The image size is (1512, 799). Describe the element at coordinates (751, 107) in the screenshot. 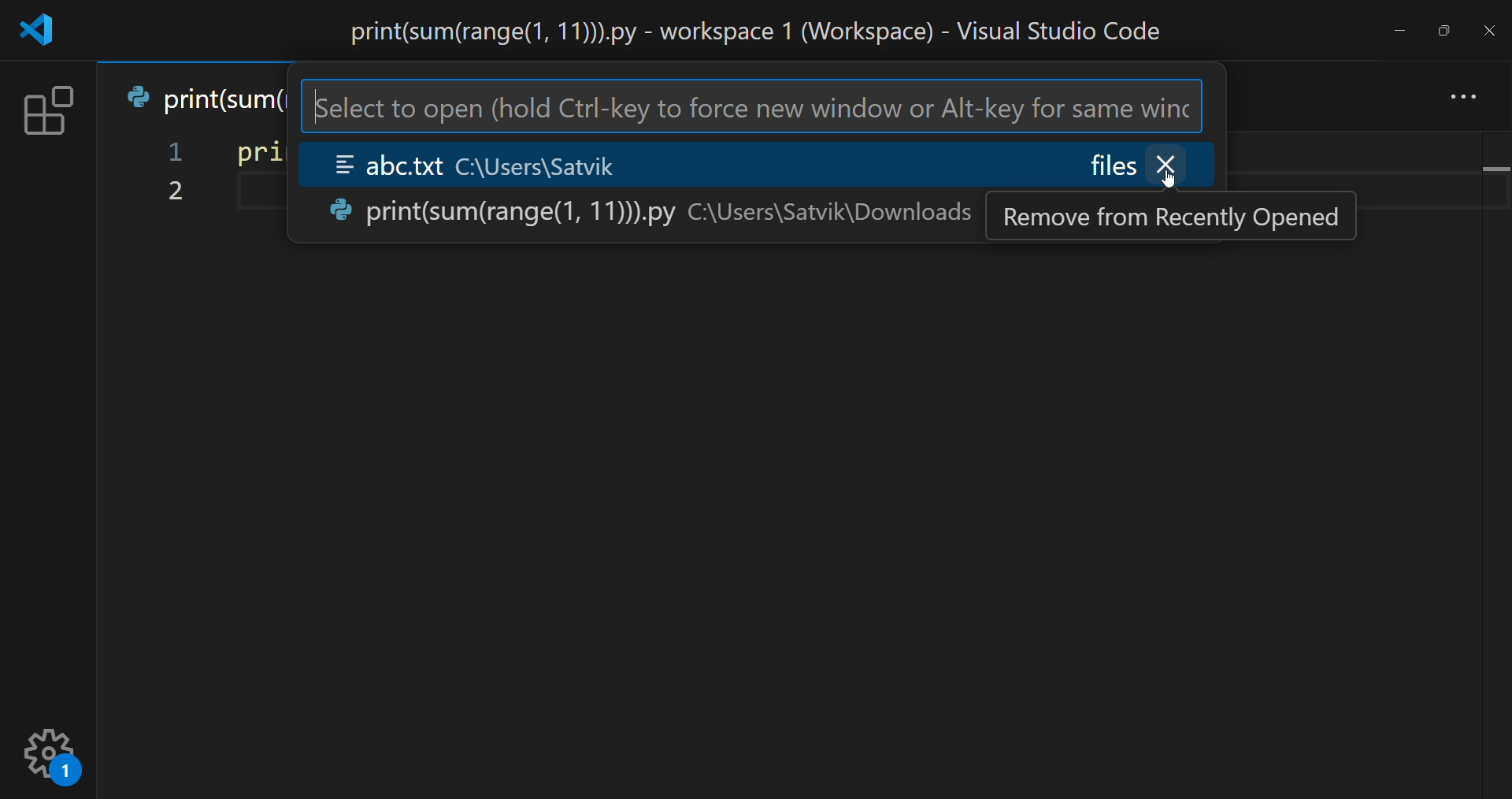

I see `Select to open (hold Ctrl-key to force new window or Alt-key for same win` at that location.